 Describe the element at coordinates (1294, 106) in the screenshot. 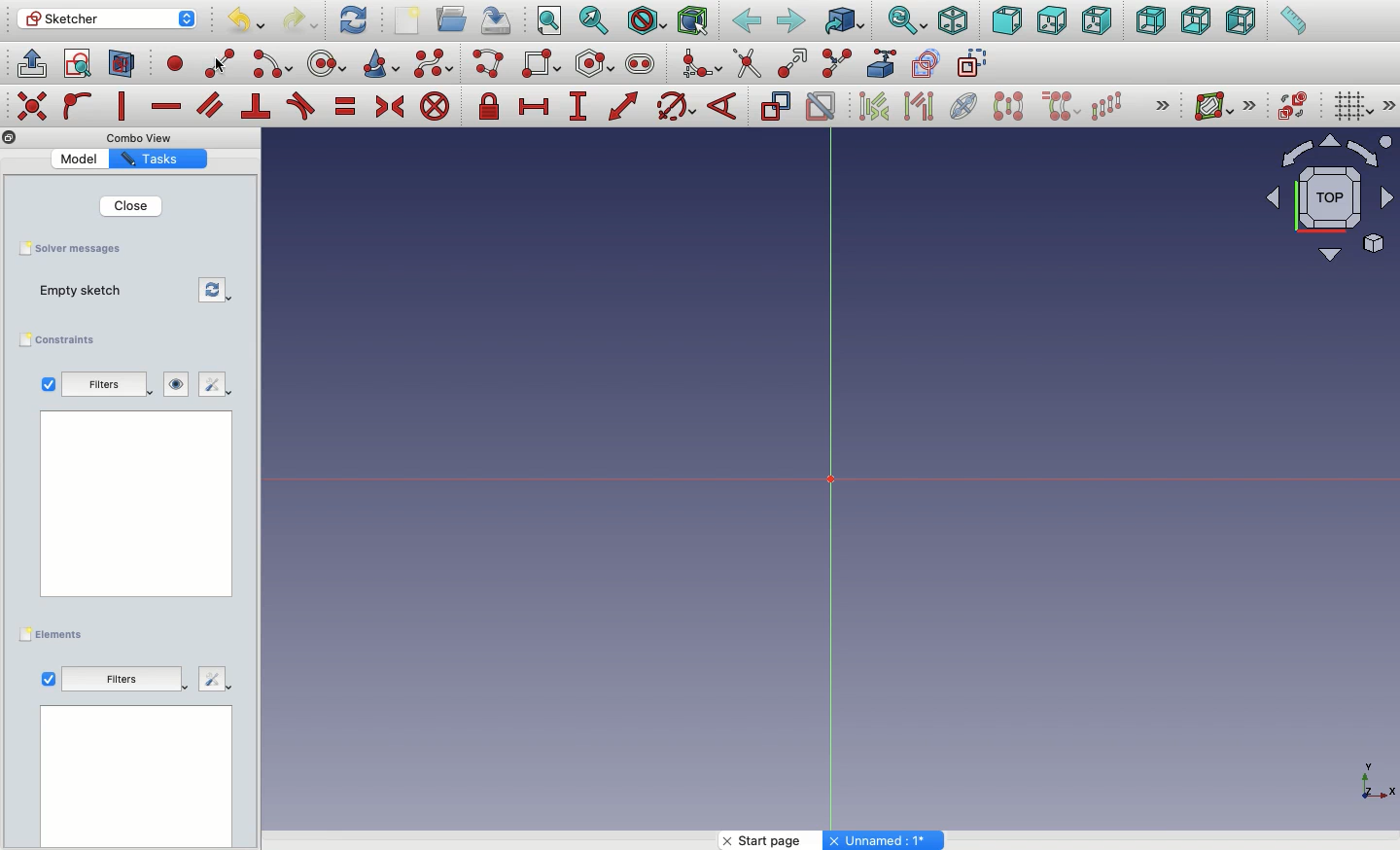

I see `Switch virtual place` at that location.